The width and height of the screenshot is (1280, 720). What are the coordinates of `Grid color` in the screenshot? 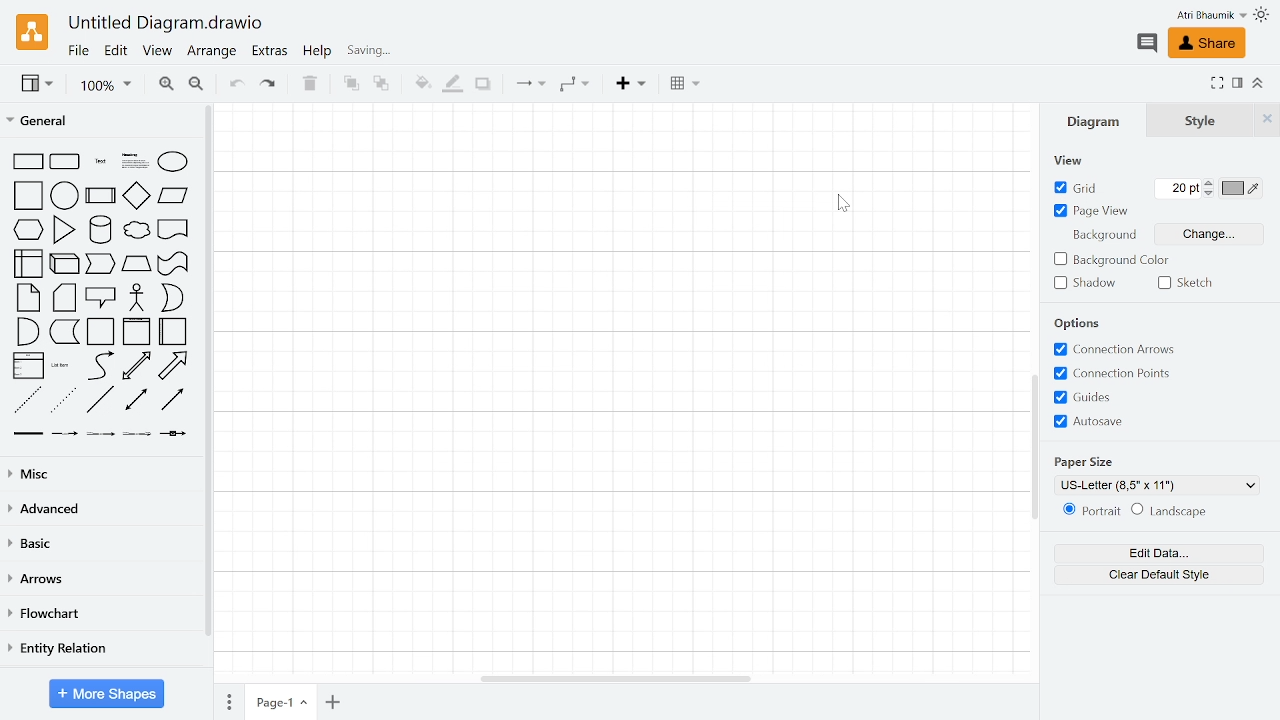 It's located at (1244, 189).